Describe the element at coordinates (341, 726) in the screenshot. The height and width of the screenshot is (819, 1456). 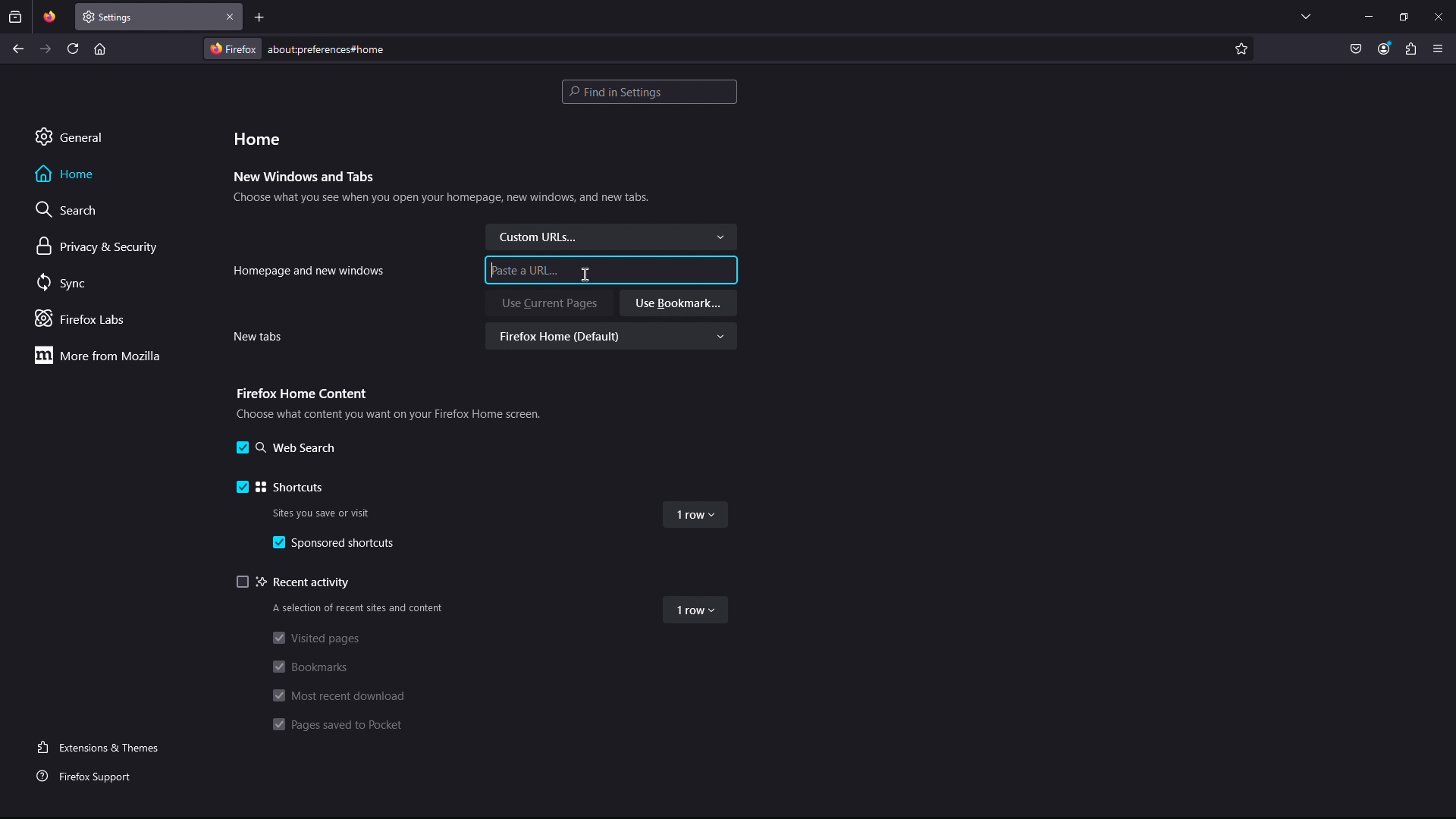
I see `Pages saved to Pocket` at that location.